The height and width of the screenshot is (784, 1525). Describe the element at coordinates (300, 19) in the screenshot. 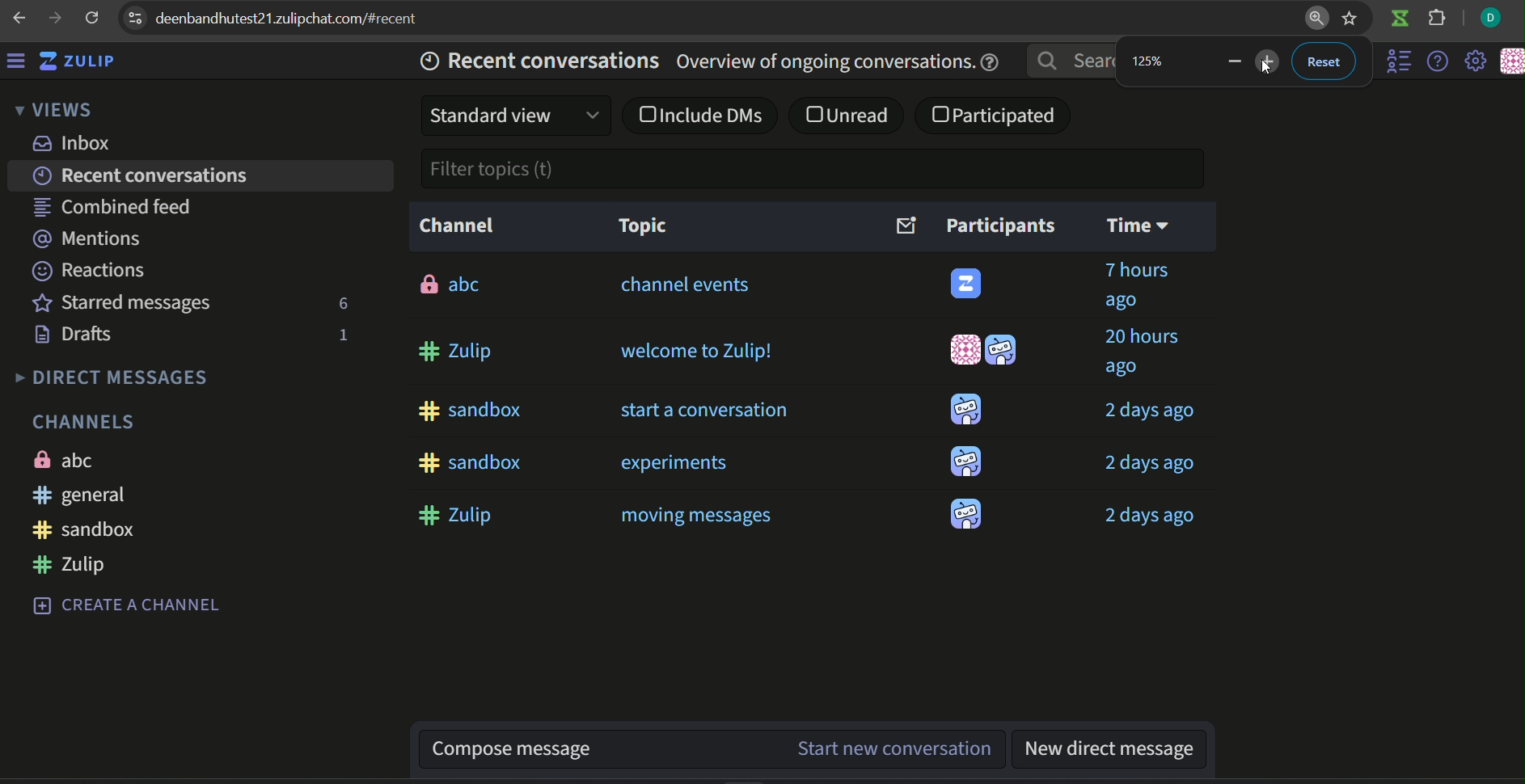

I see `browser` at that location.